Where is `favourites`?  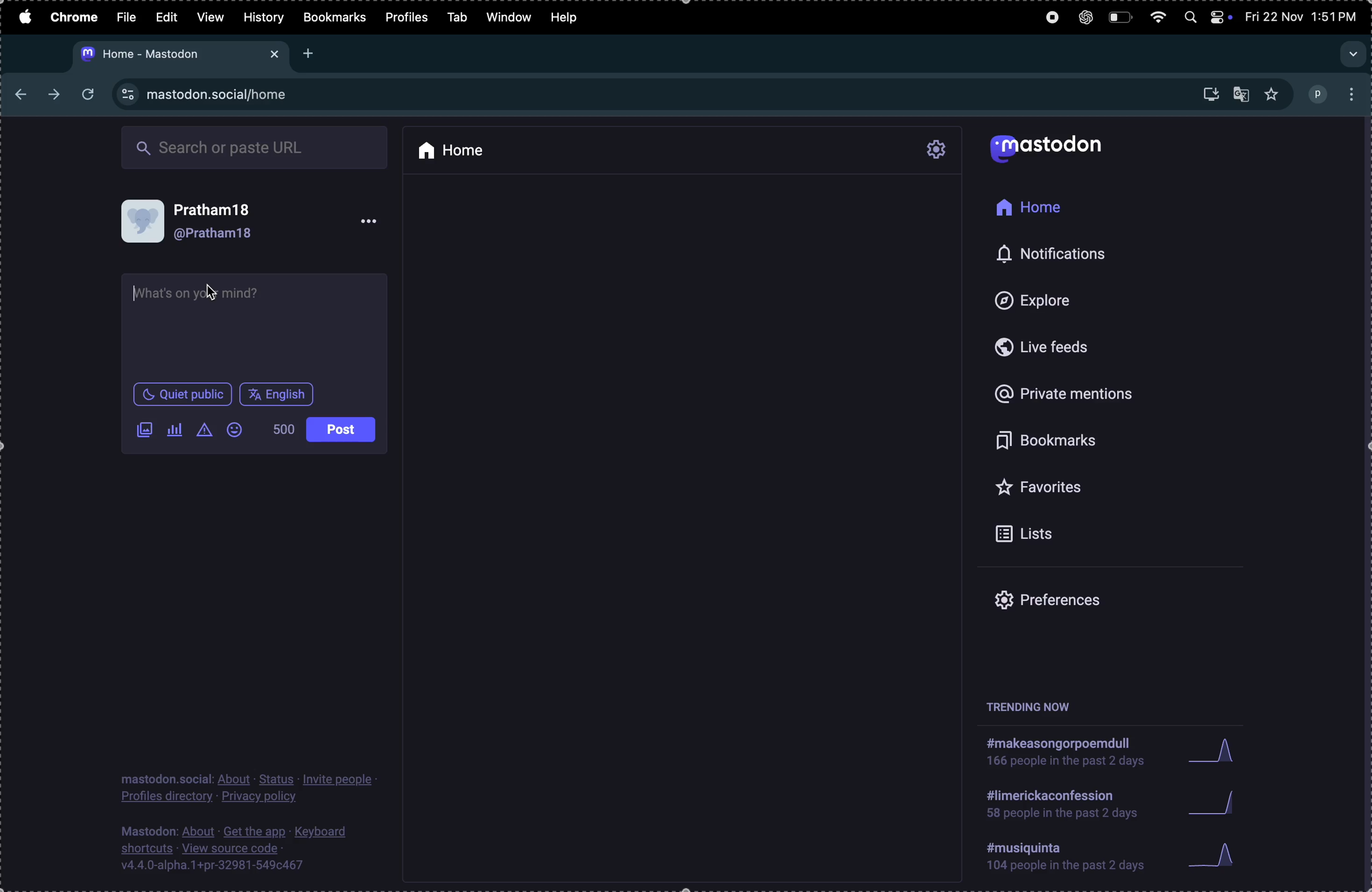
favourites is located at coordinates (1272, 95).